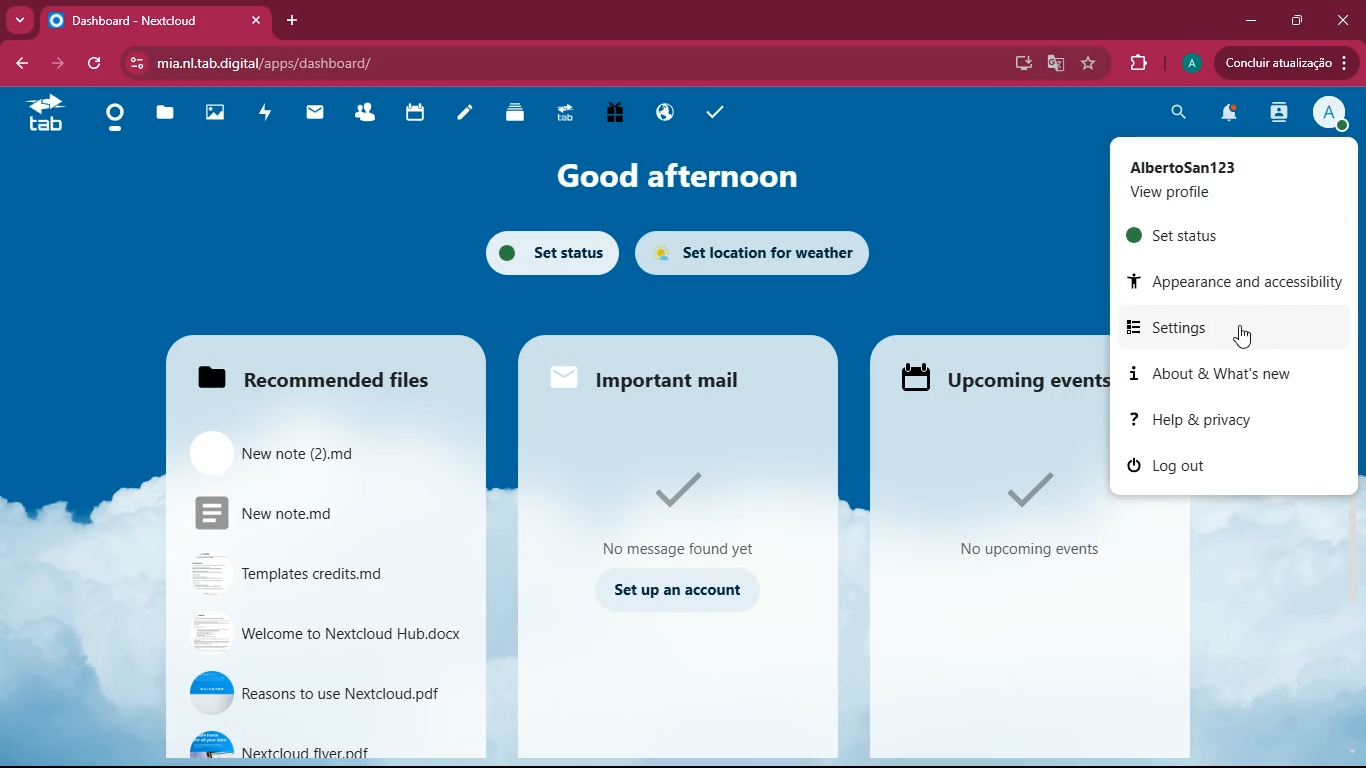 This screenshot has width=1366, height=768. I want to click on files, so click(328, 371).